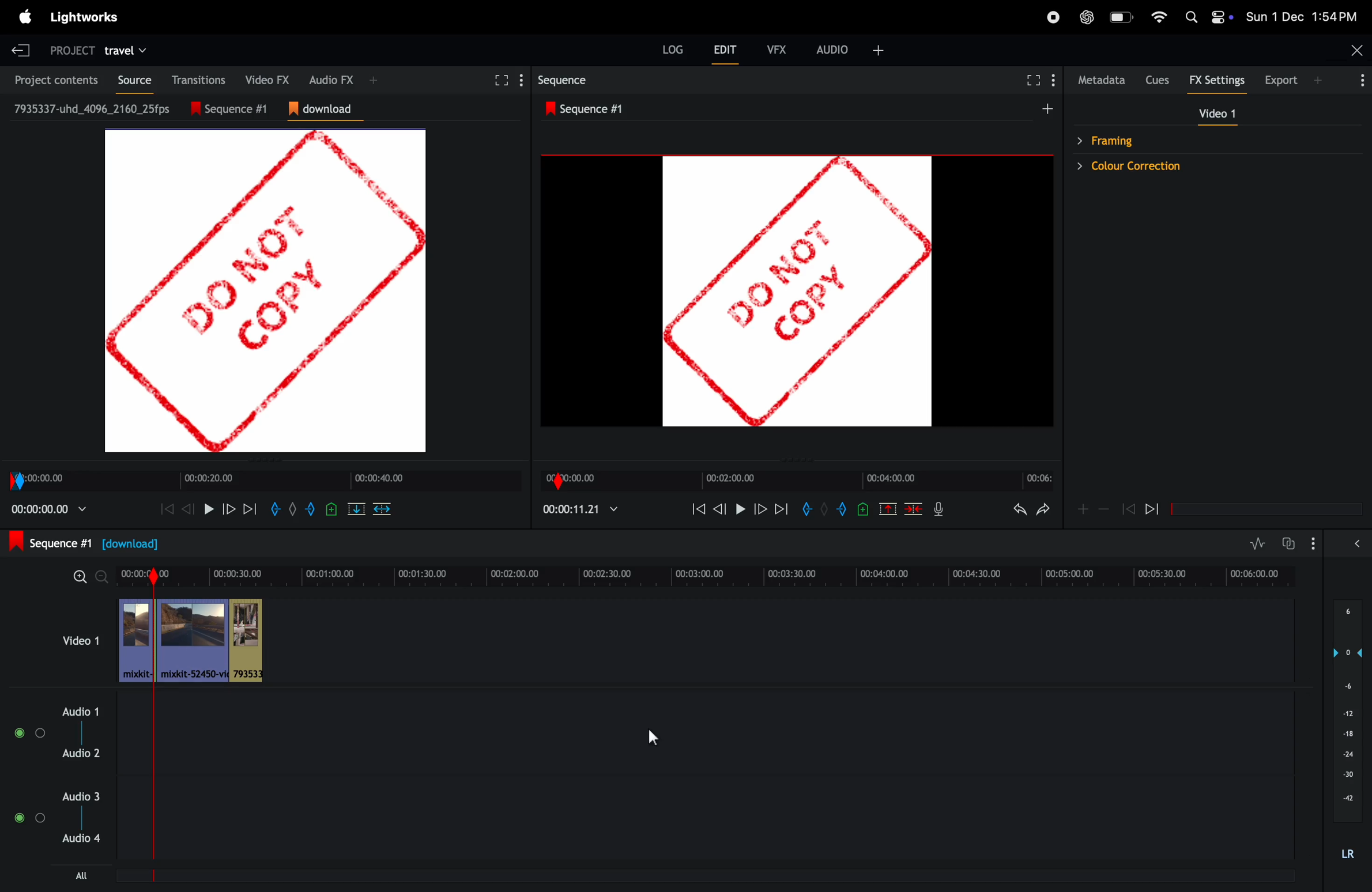 This screenshot has width=1372, height=892. What do you see at coordinates (1209, 139) in the screenshot?
I see `framing` at bounding box center [1209, 139].